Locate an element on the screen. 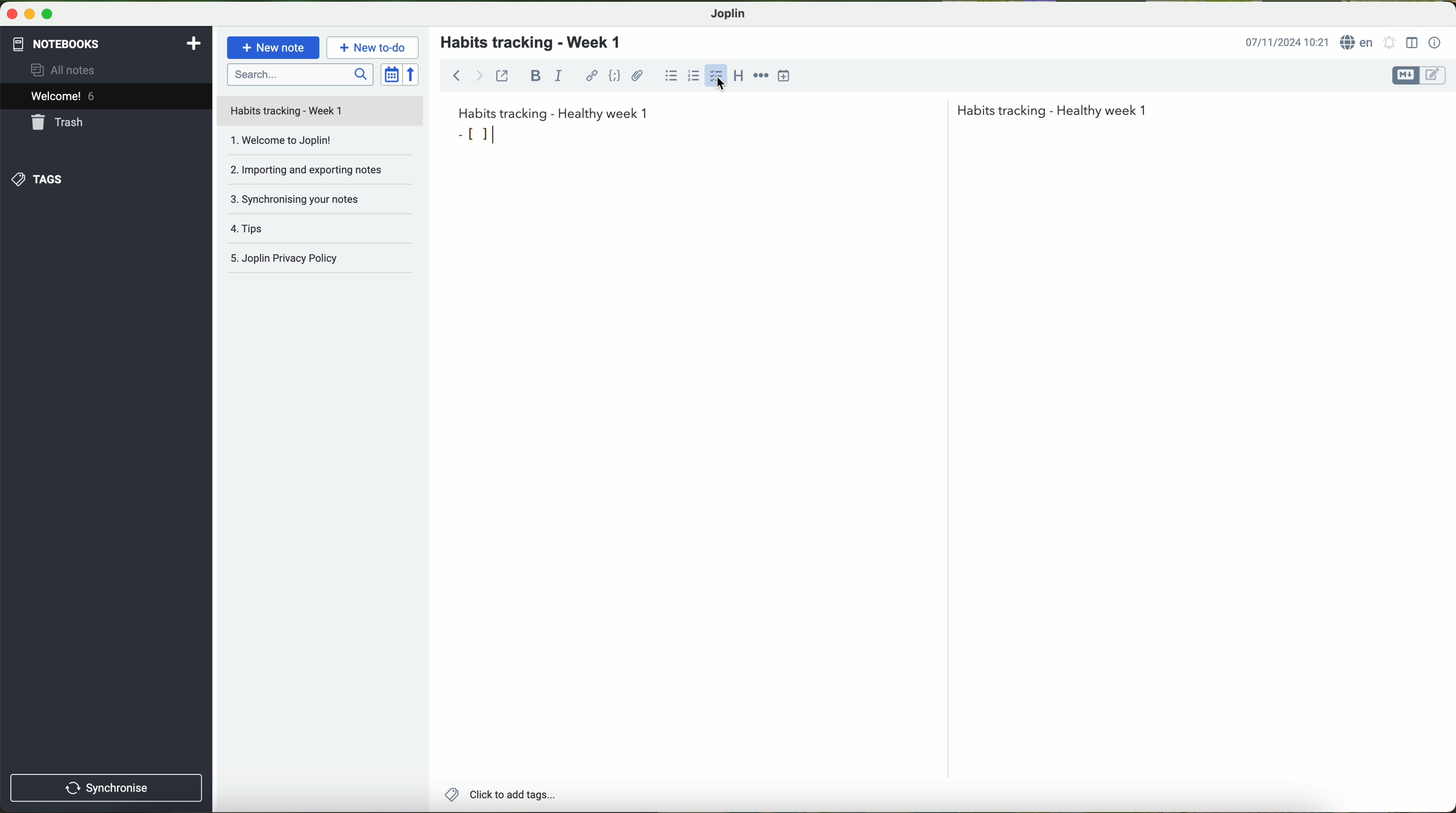 The height and width of the screenshot is (813, 1456). Habits tracking - Healthy week 1 is located at coordinates (1057, 108).